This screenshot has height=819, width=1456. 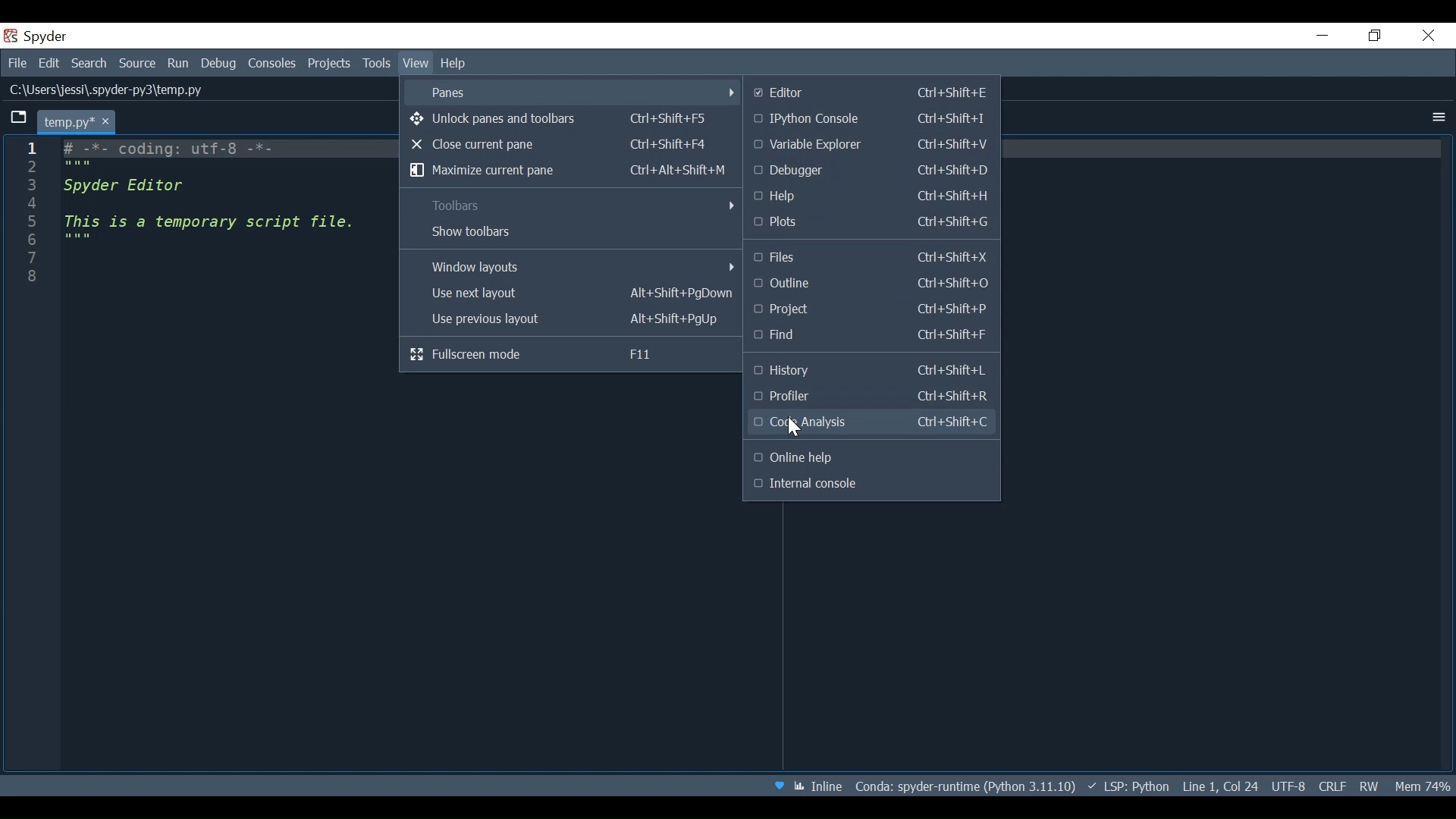 What do you see at coordinates (817, 786) in the screenshot?
I see `Toggle Inline and interactive Matplotlib plotting` at bounding box center [817, 786].